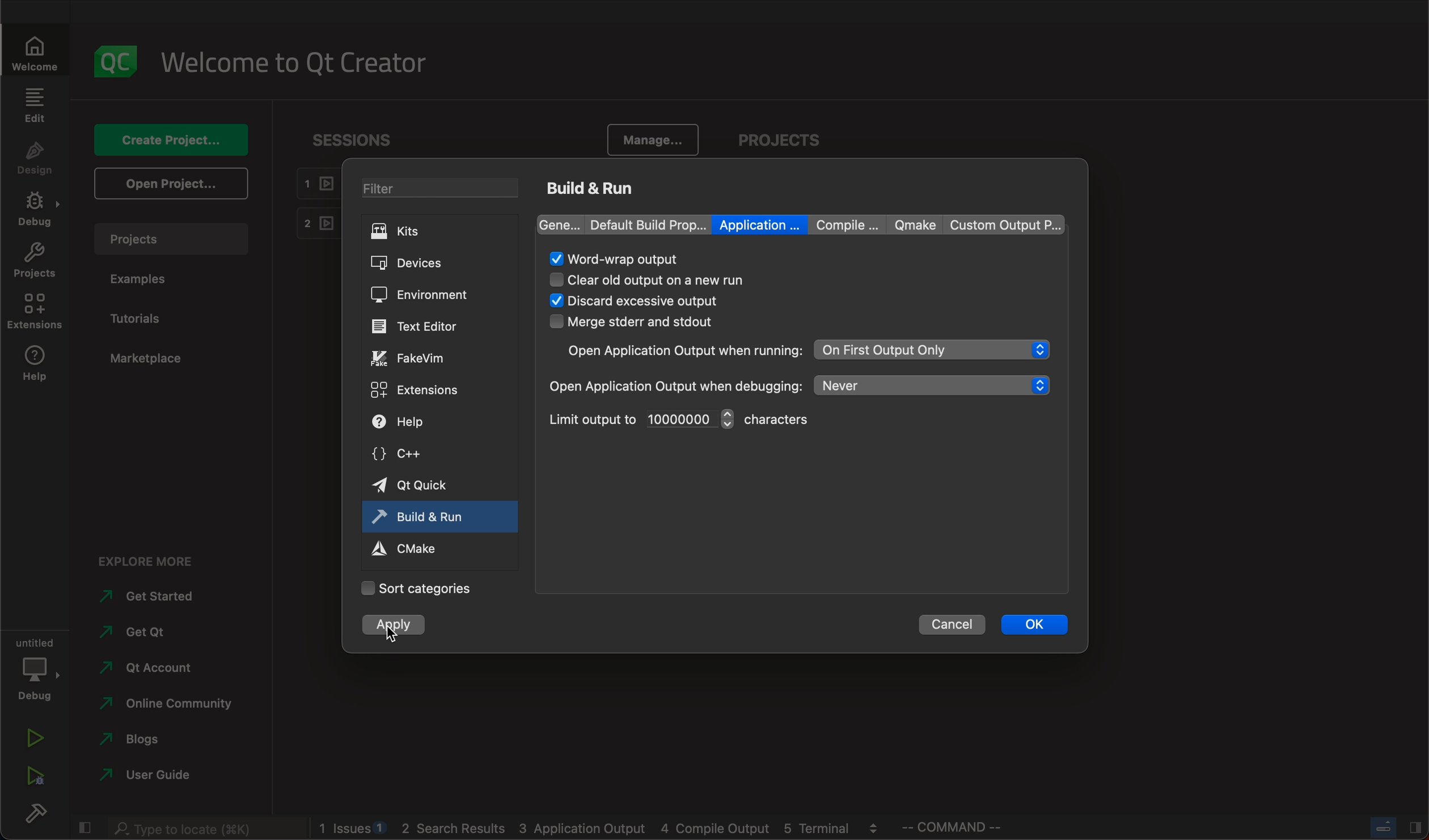  What do you see at coordinates (426, 325) in the screenshot?
I see `editor` at bounding box center [426, 325].